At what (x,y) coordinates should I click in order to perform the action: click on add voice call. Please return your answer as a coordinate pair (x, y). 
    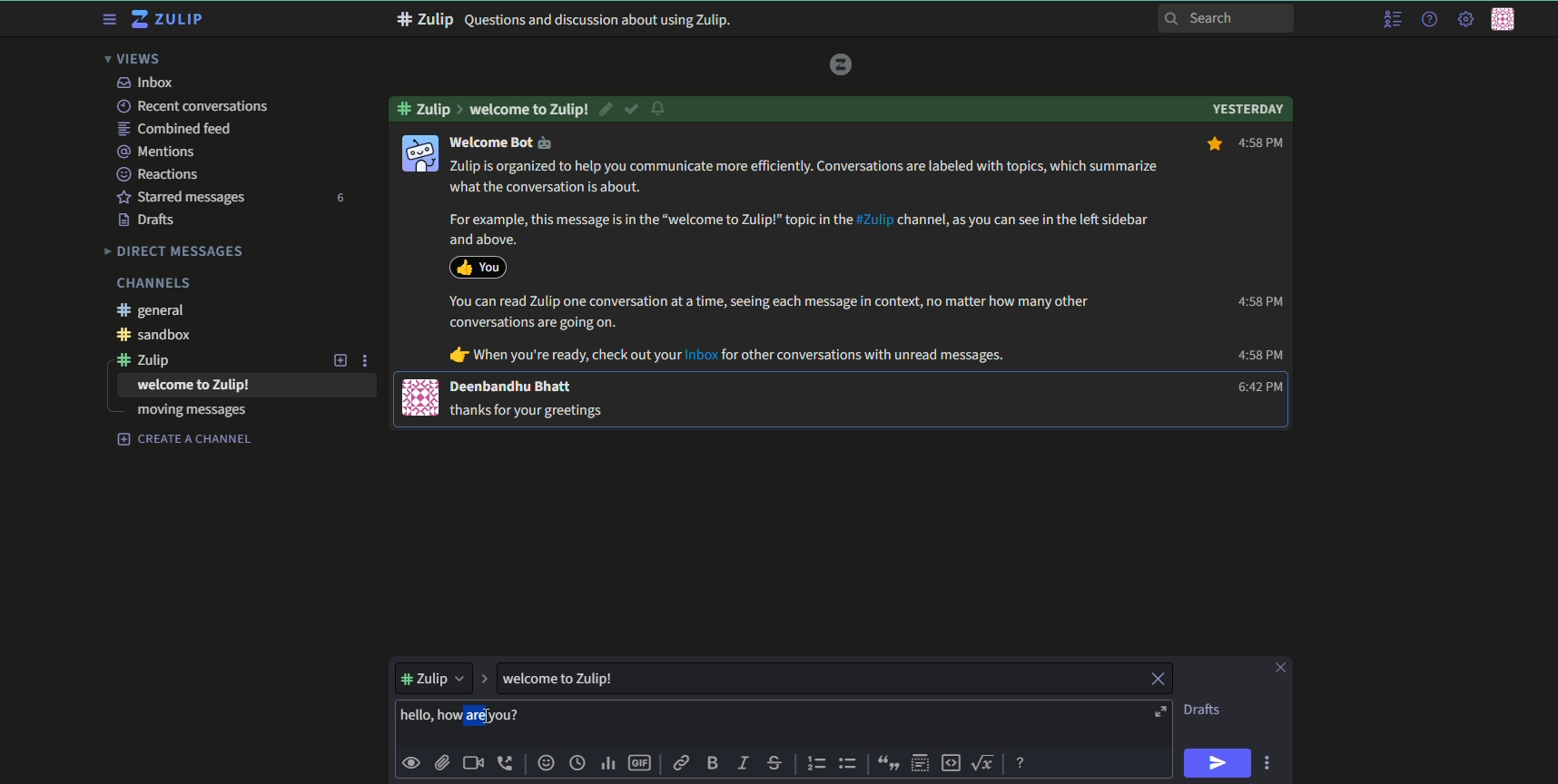
    Looking at the image, I should click on (507, 763).